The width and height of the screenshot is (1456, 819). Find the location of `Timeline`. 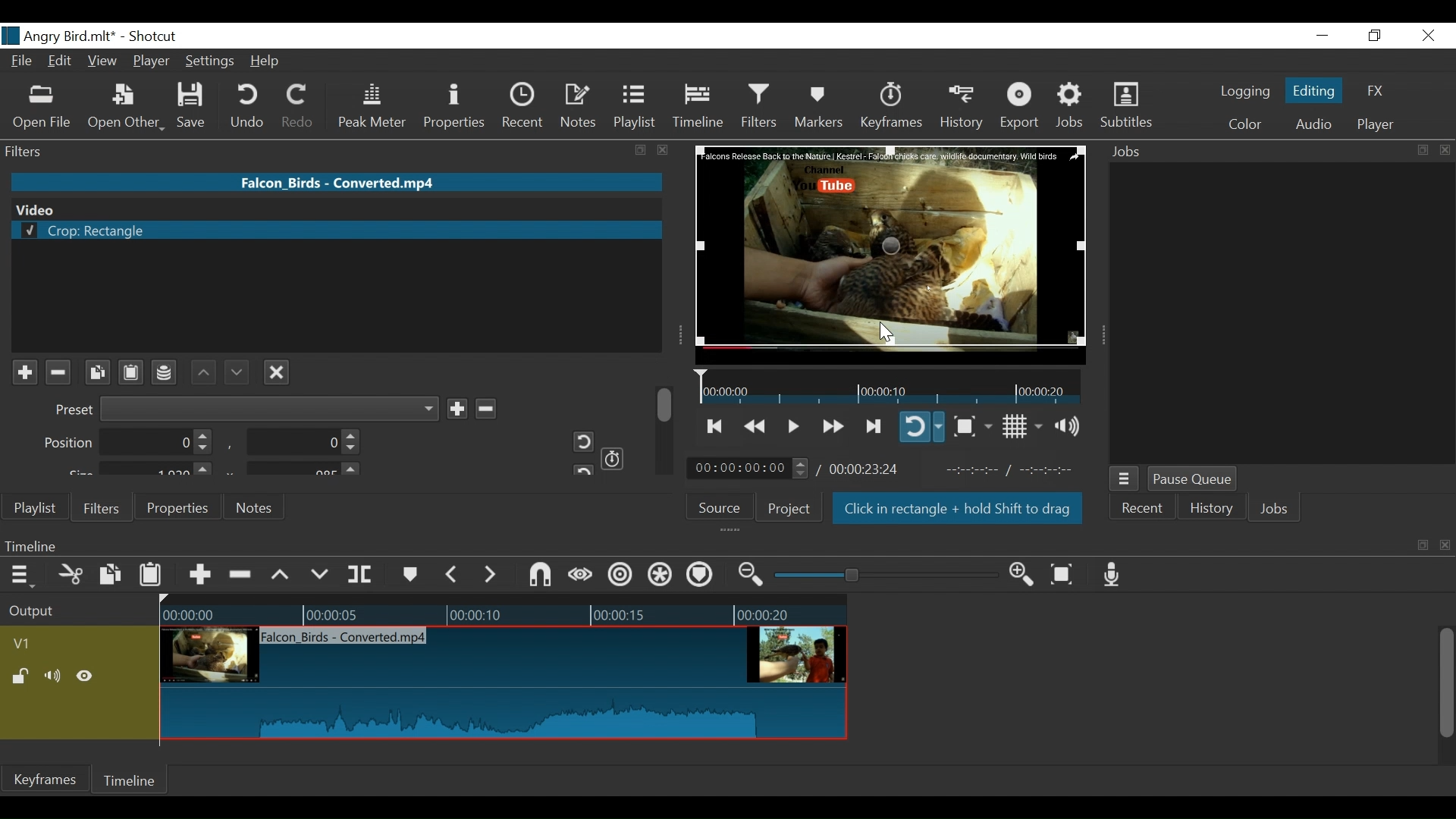

Timeline is located at coordinates (503, 611).